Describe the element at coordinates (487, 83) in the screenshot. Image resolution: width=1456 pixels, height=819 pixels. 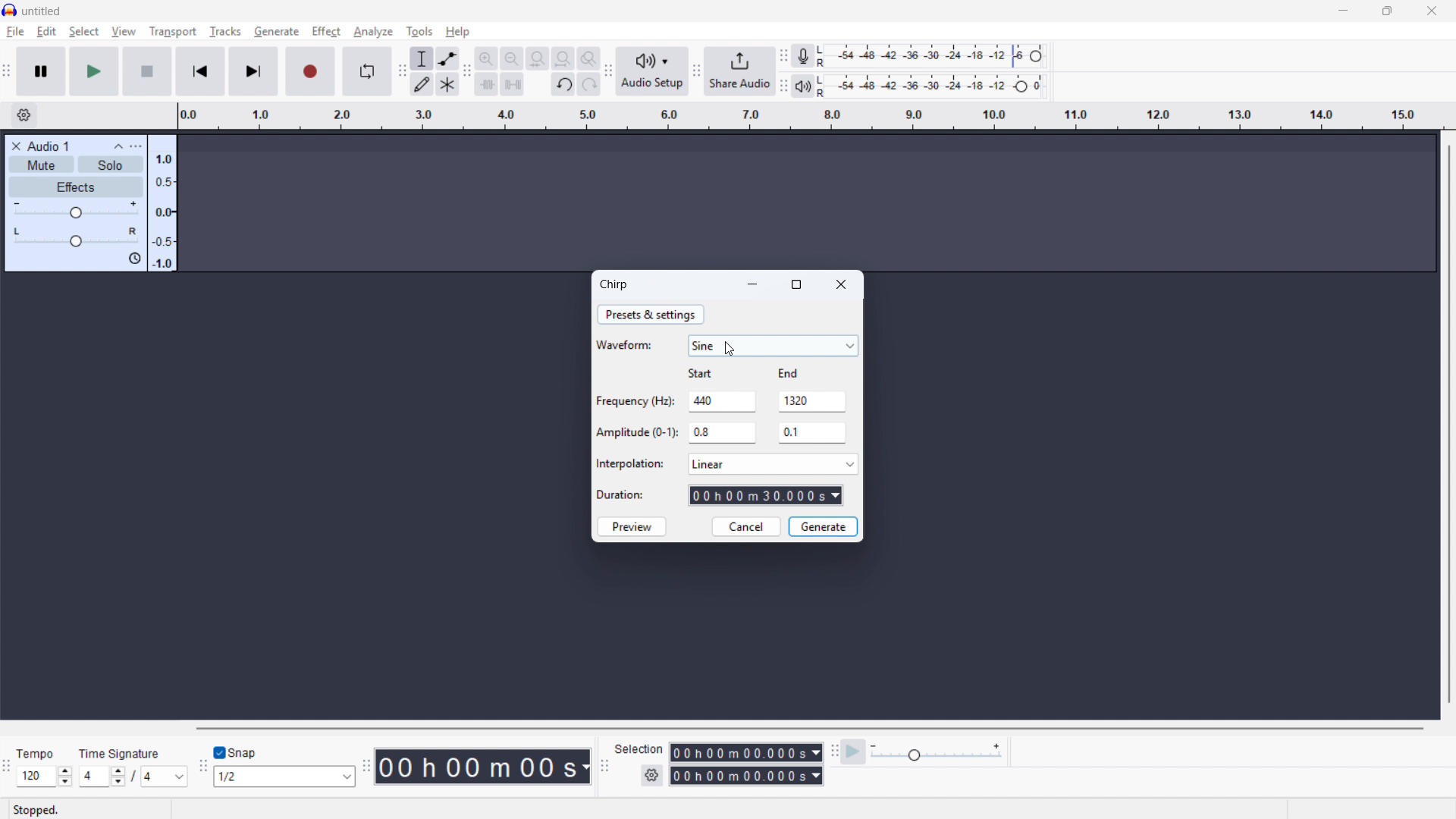
I see `Trim audio outside selection ` at that location.